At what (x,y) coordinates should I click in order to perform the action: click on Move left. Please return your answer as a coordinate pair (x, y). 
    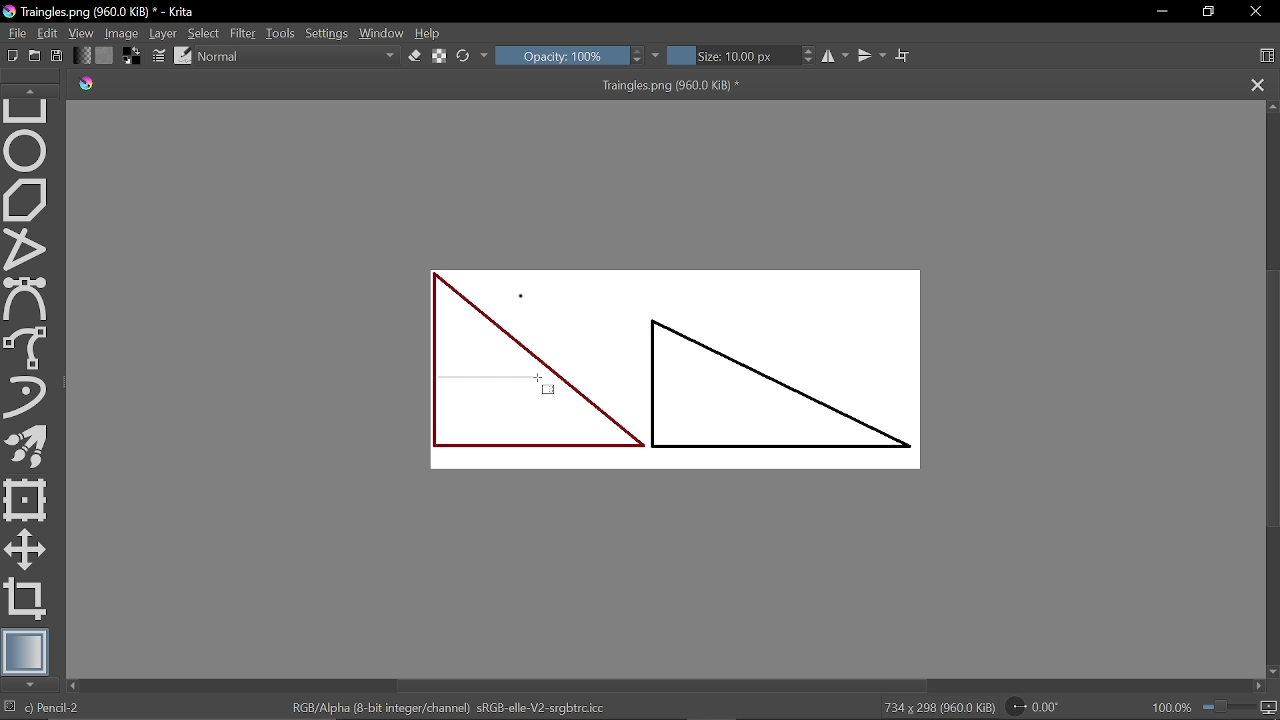
    Looking at the image, I should click on (75, 686).